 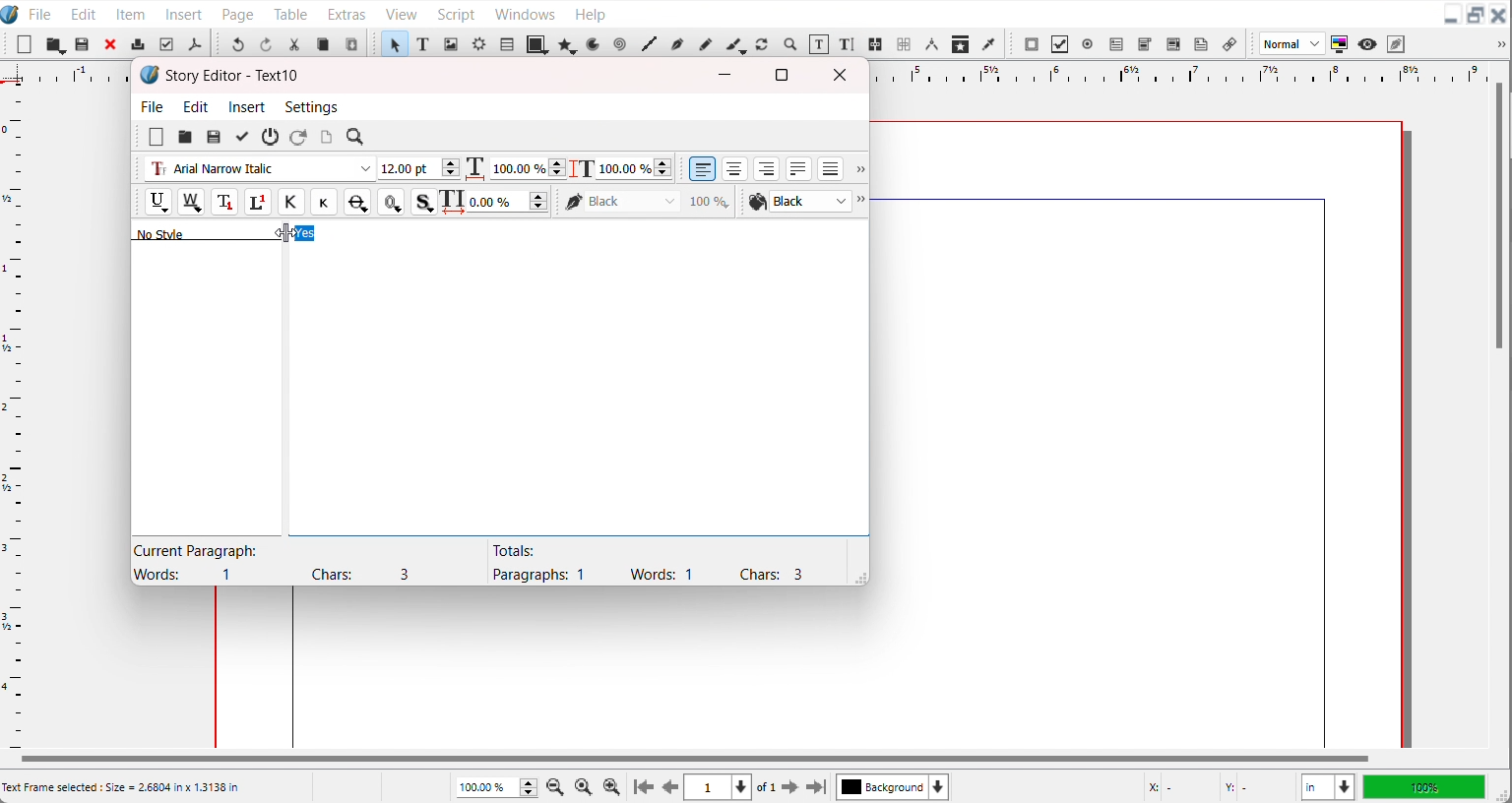 I want to click on Text, so click(x=285, y=562).